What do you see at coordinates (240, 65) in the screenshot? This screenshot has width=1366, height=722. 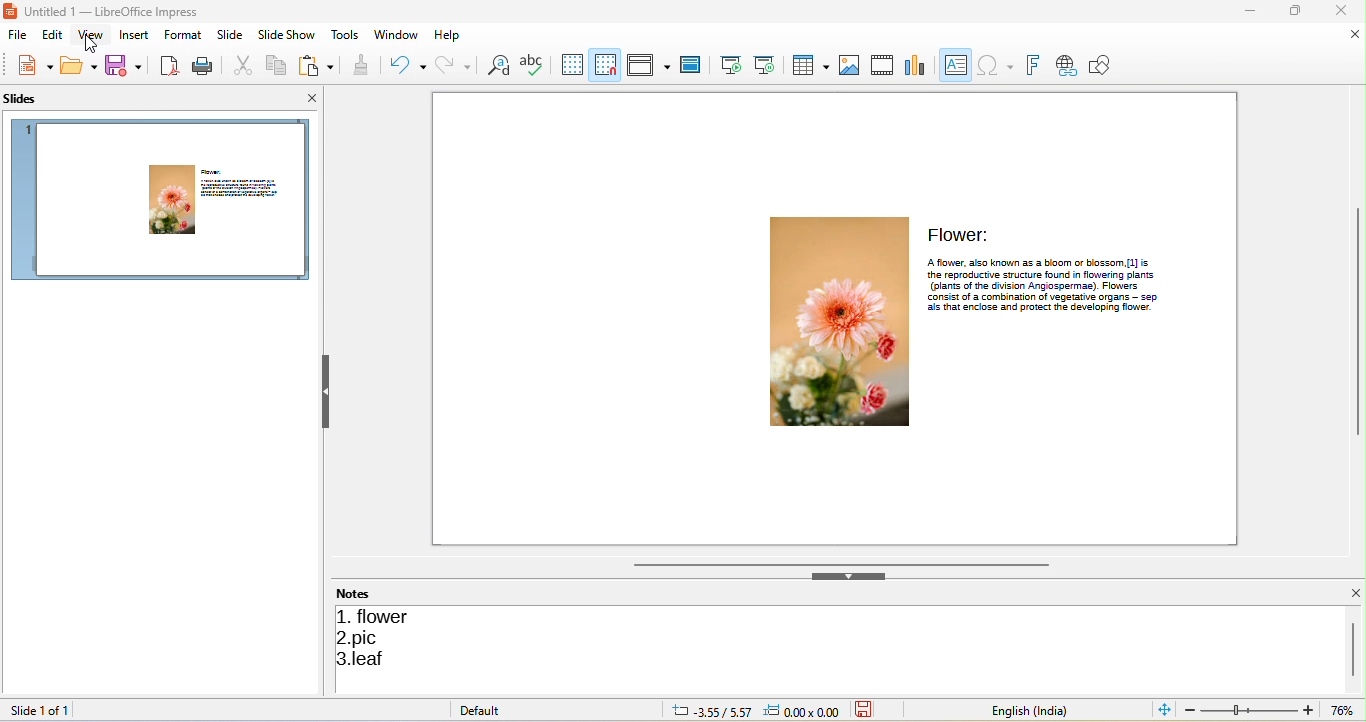 I see `cut` at bounding box center [240, 65].